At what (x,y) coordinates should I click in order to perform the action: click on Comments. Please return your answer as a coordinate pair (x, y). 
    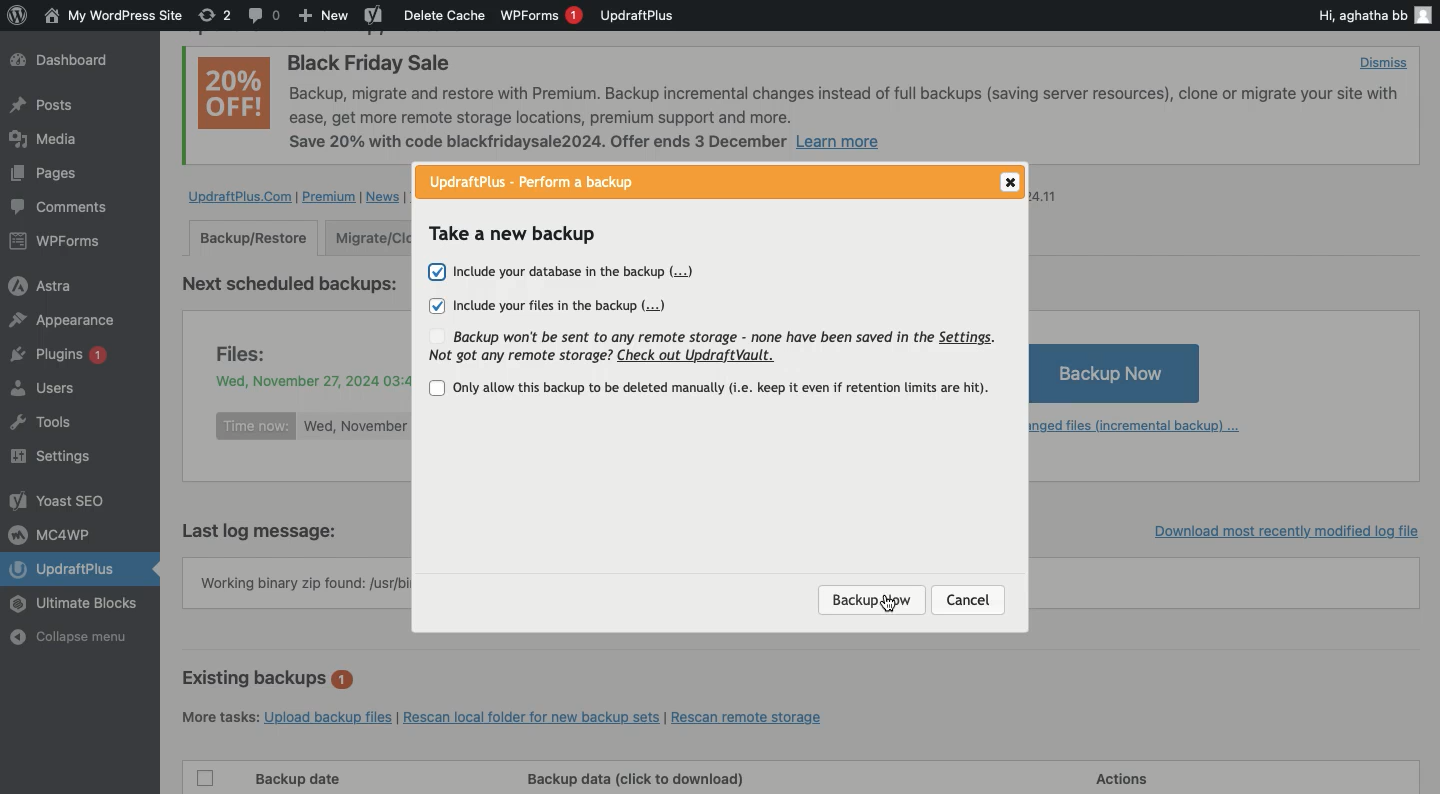
    Looking at the image, I should click on (62, 208).